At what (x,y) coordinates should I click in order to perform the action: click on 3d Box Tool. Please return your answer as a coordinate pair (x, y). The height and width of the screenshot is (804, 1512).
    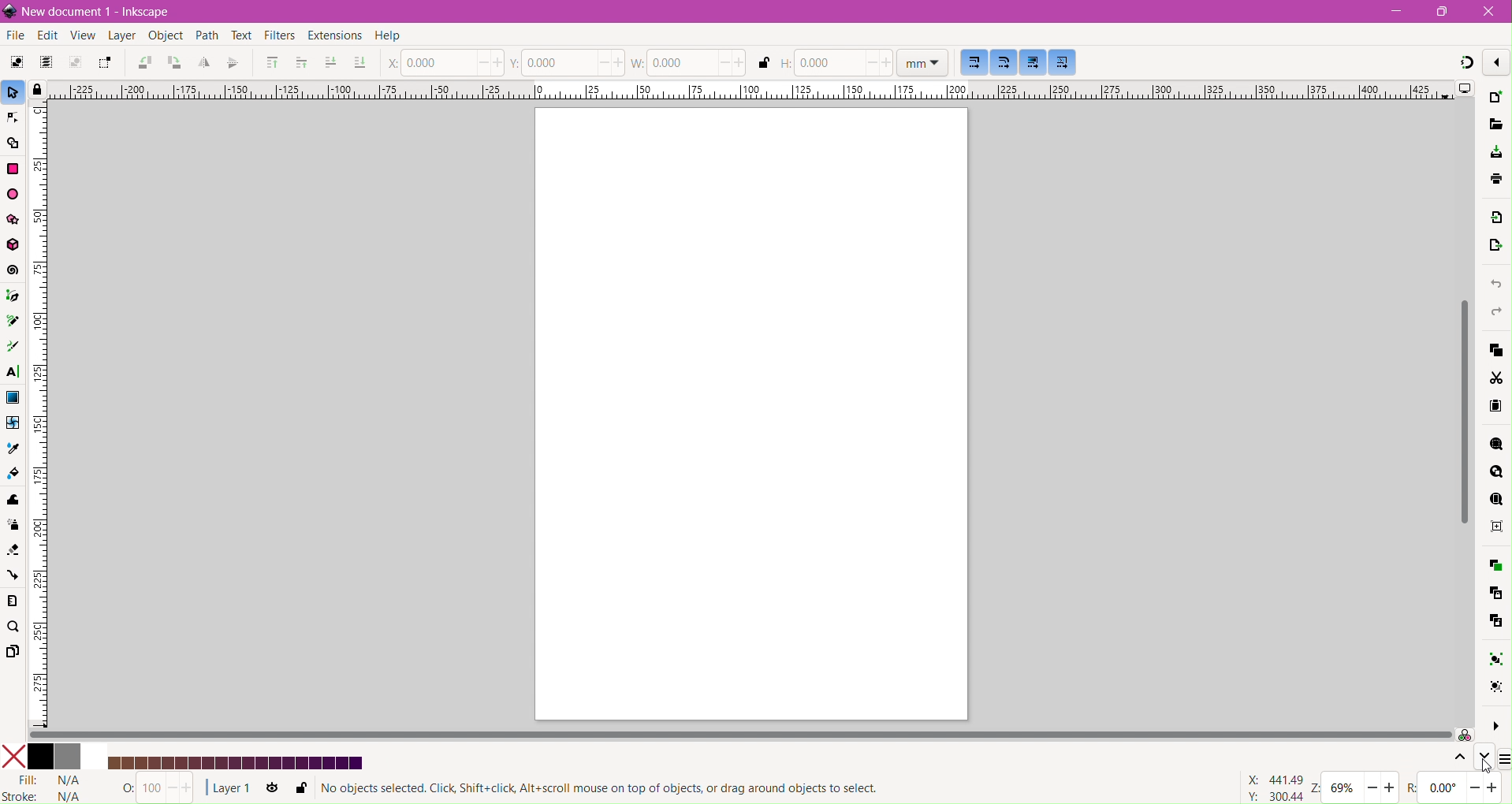
    Looking at the image, I should click on (13, 244).